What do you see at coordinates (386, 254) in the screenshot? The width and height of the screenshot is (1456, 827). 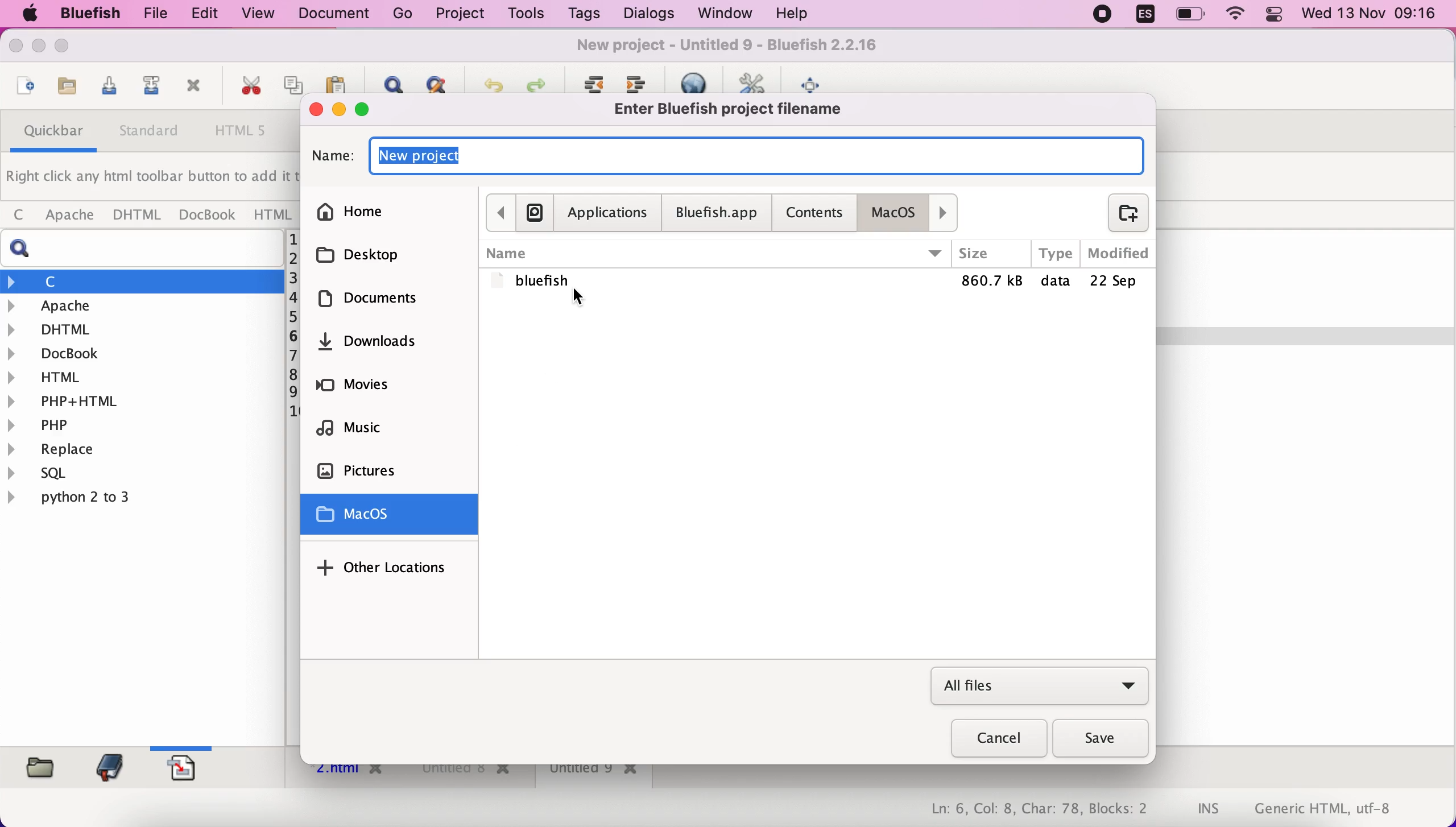 I see `desktop` at bounding box center [386, 254].